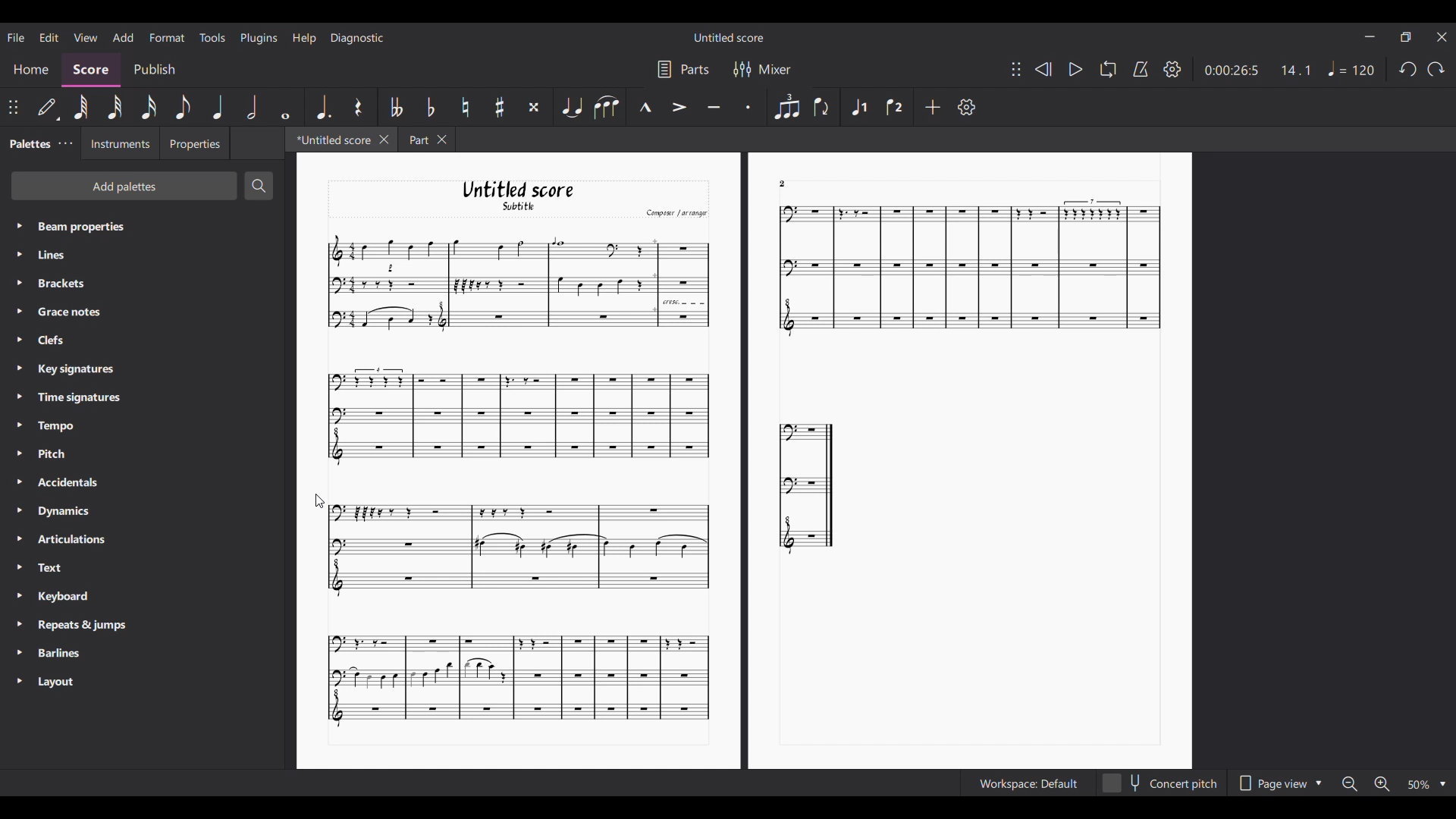  What do you see at coordinates (572, 106) in the screenshot?
I see `Tie` at bounding box center [572, 106].